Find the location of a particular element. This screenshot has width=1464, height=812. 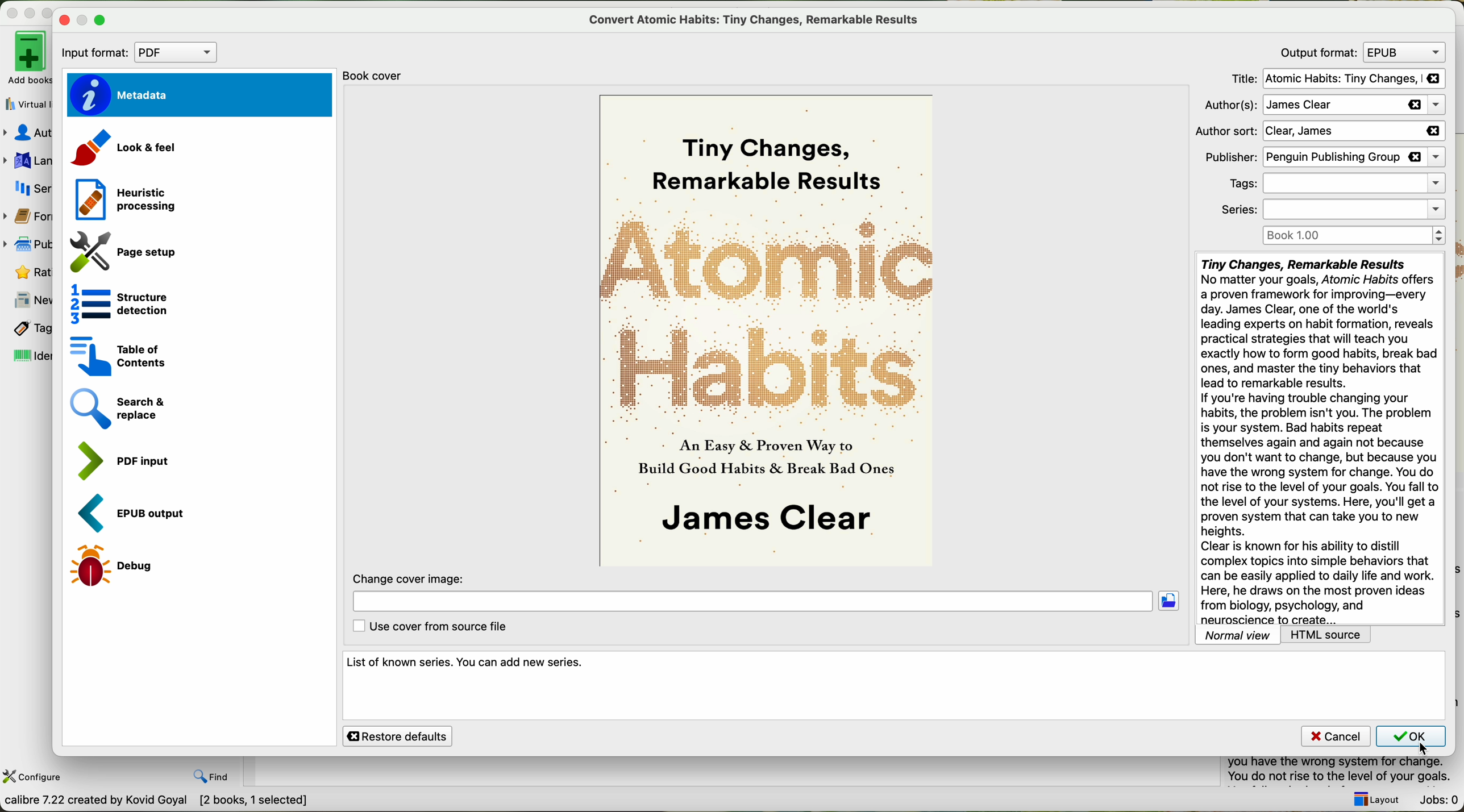

book cover is located at coordinates (379, 76).